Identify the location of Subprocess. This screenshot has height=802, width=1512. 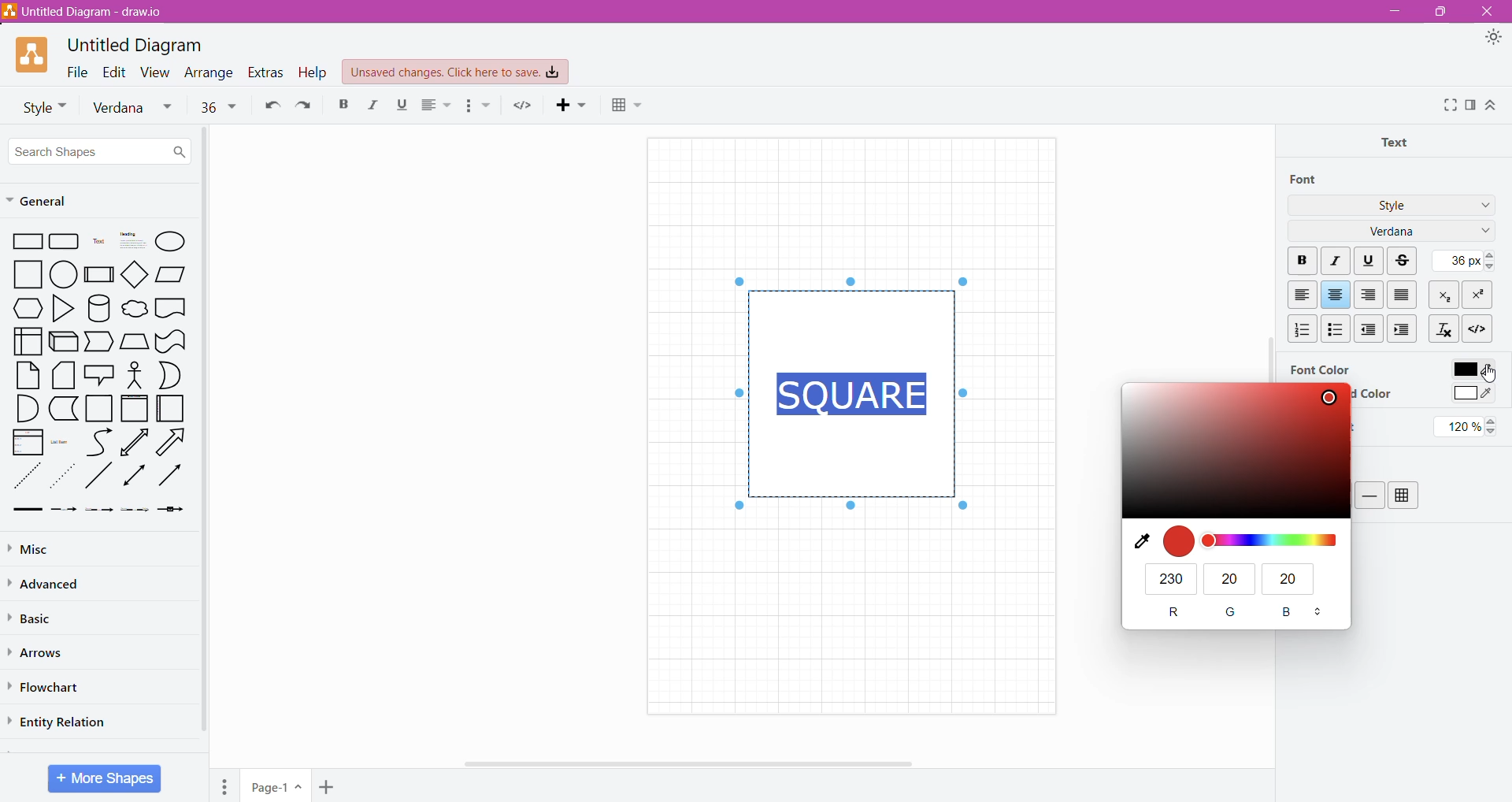
(99, 273).